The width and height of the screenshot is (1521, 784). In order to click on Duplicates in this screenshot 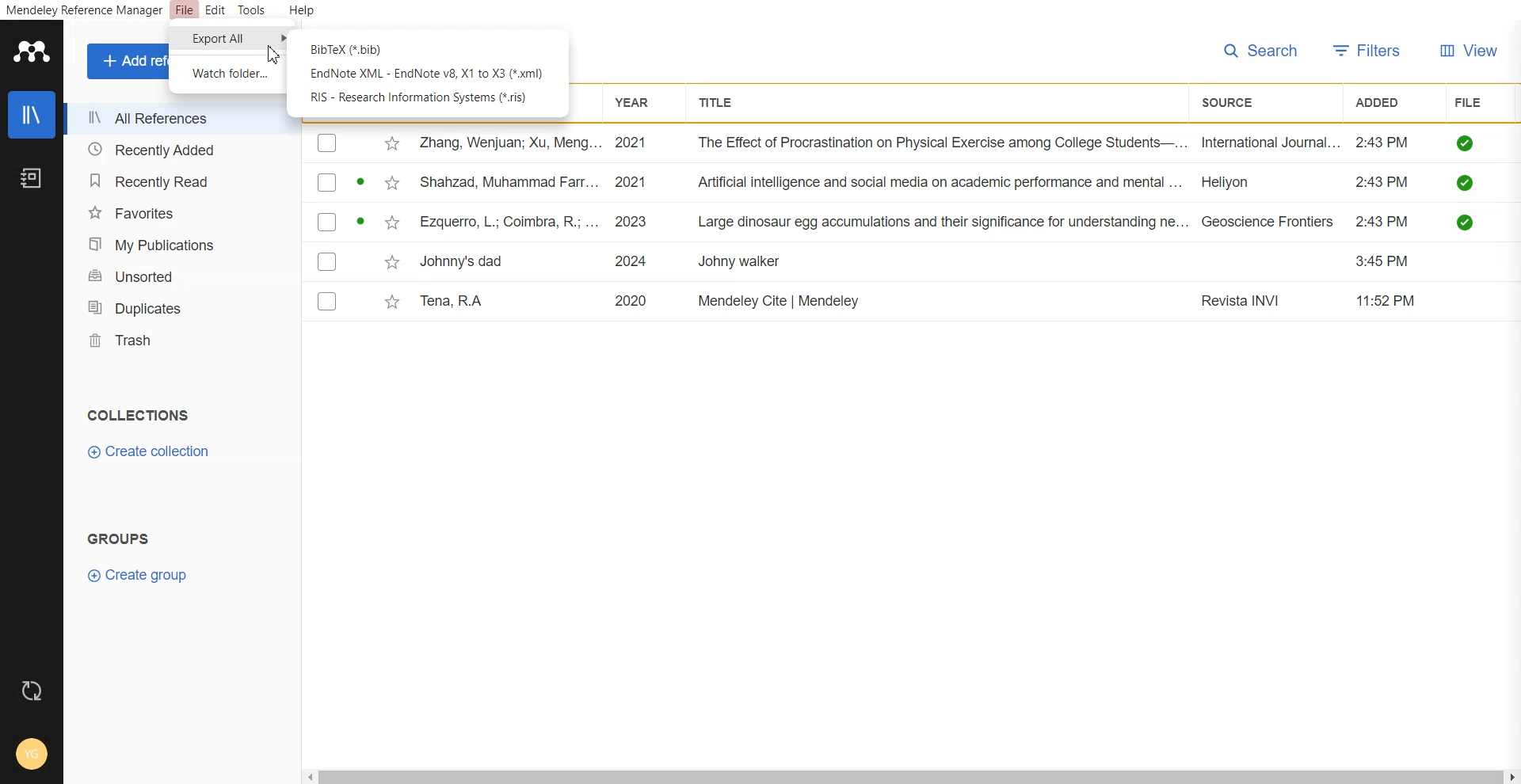, I will do `click(178, 306)`.